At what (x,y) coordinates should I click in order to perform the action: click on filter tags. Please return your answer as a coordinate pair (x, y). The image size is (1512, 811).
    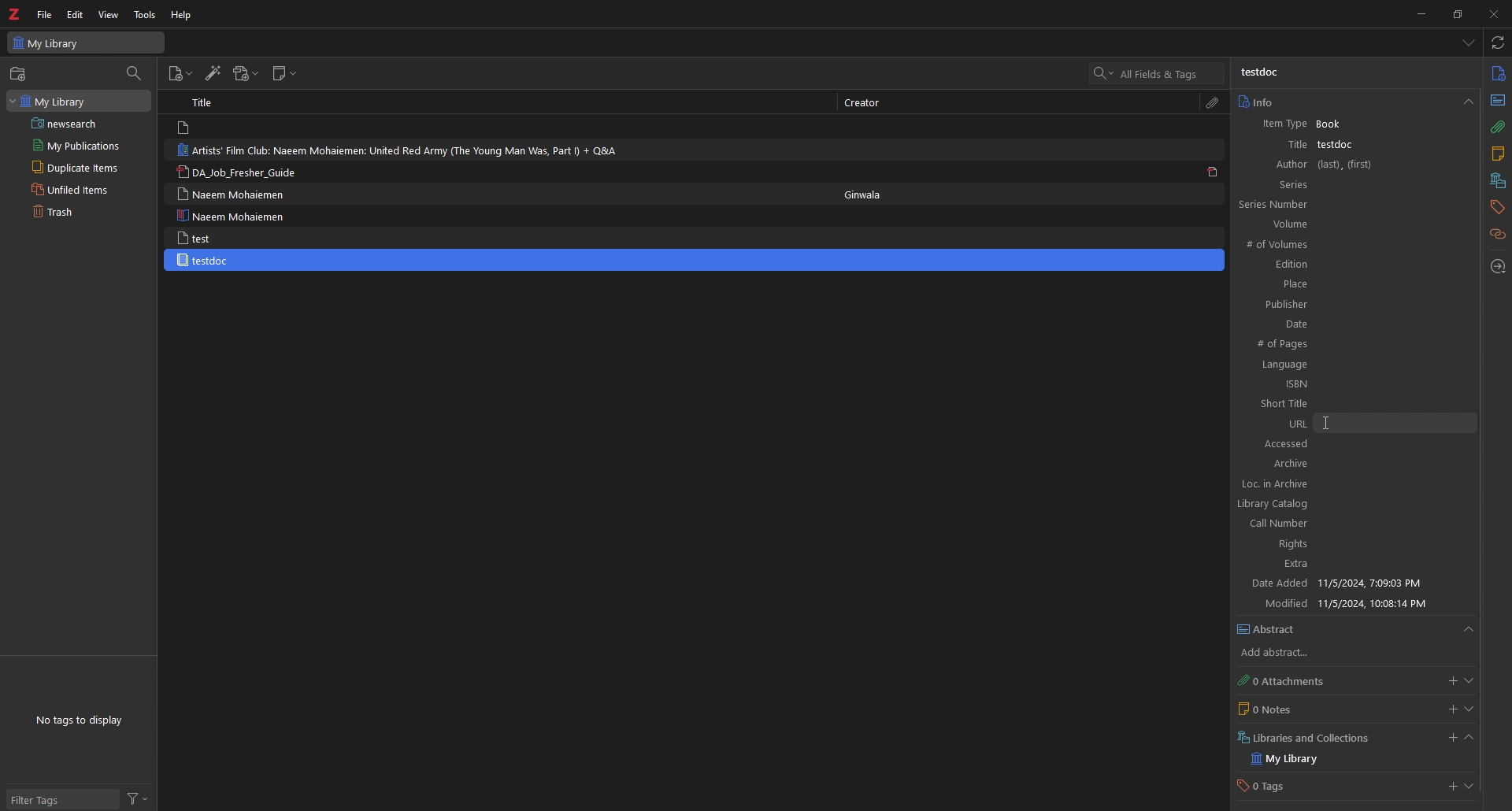
    Looking at the image, I should click on (61, 800).